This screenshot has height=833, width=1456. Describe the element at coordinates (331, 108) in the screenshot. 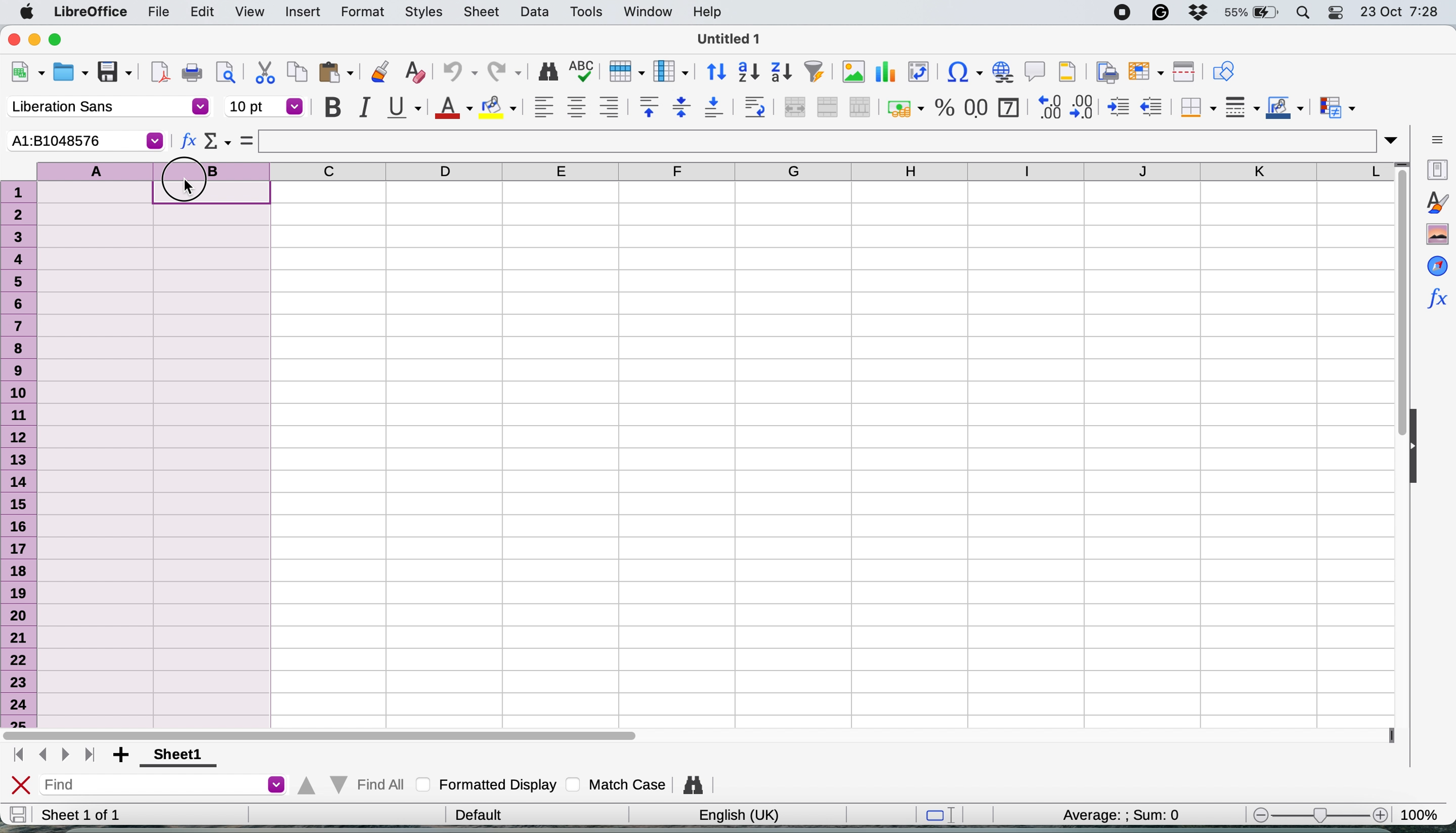

I see `bold` at that location.